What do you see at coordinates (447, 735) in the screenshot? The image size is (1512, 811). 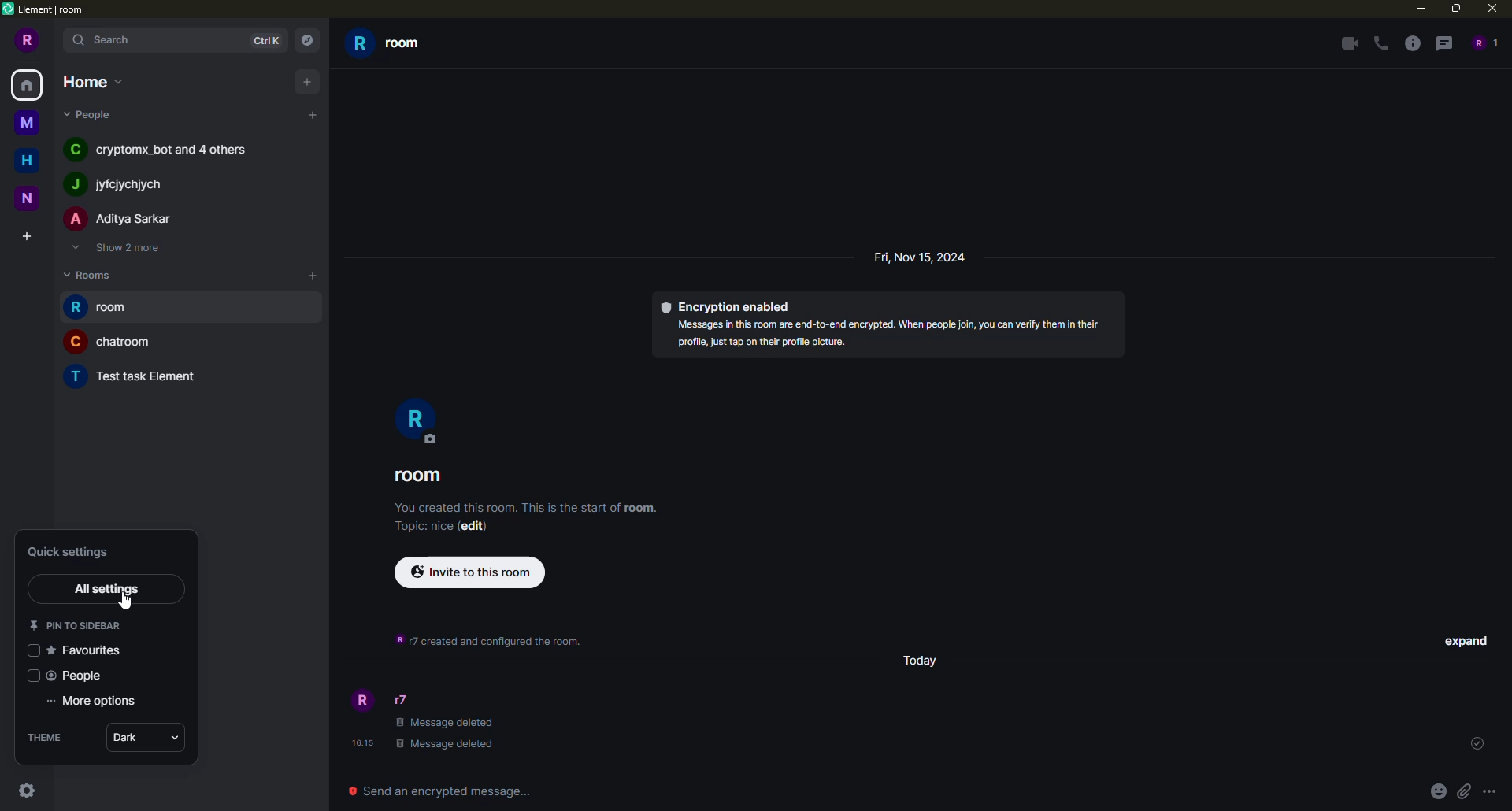 I see `deleted` at bounding box center [447, 735].